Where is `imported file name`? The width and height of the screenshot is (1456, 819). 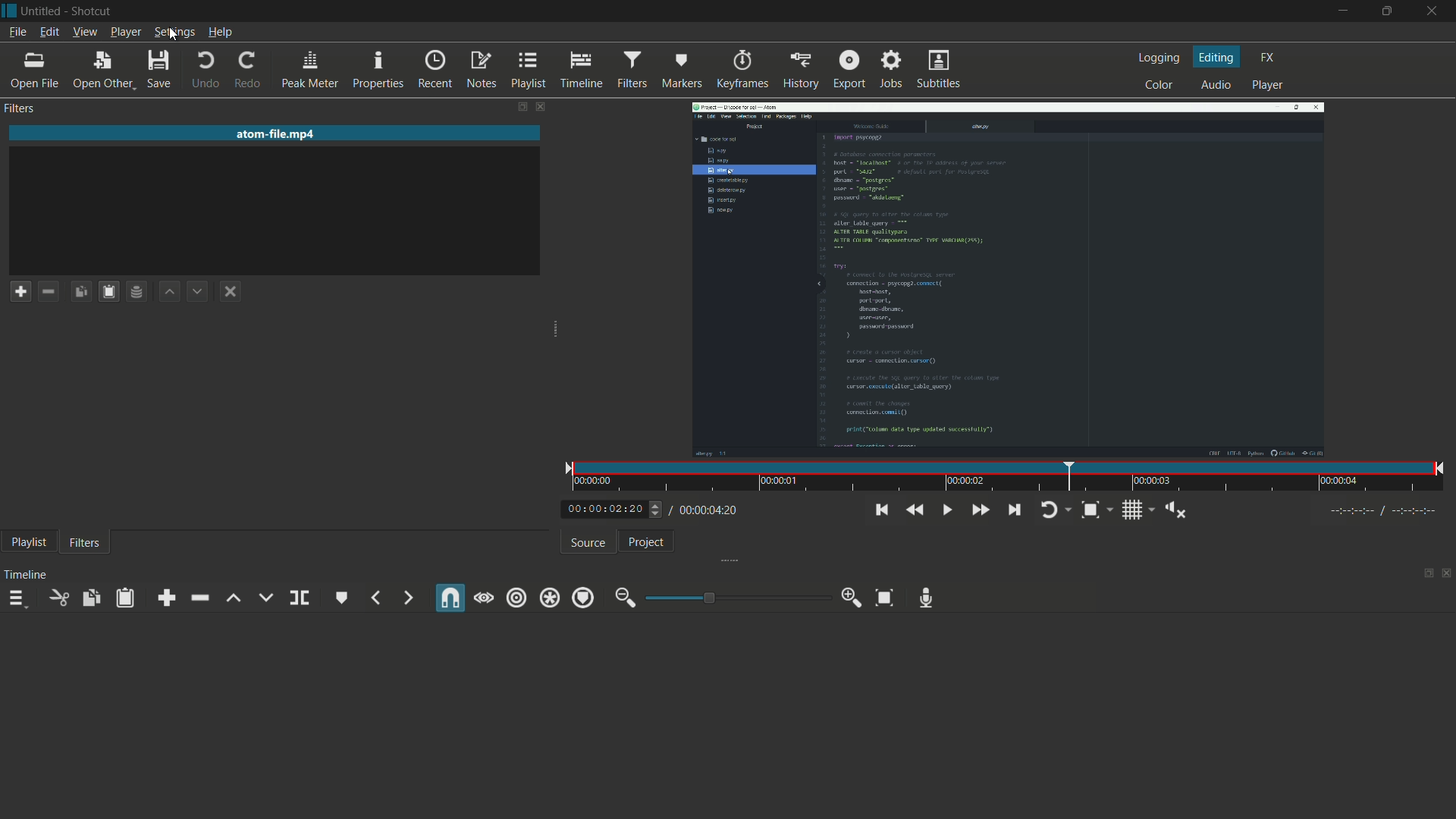
imported file name is located at coordinates (276, 134).